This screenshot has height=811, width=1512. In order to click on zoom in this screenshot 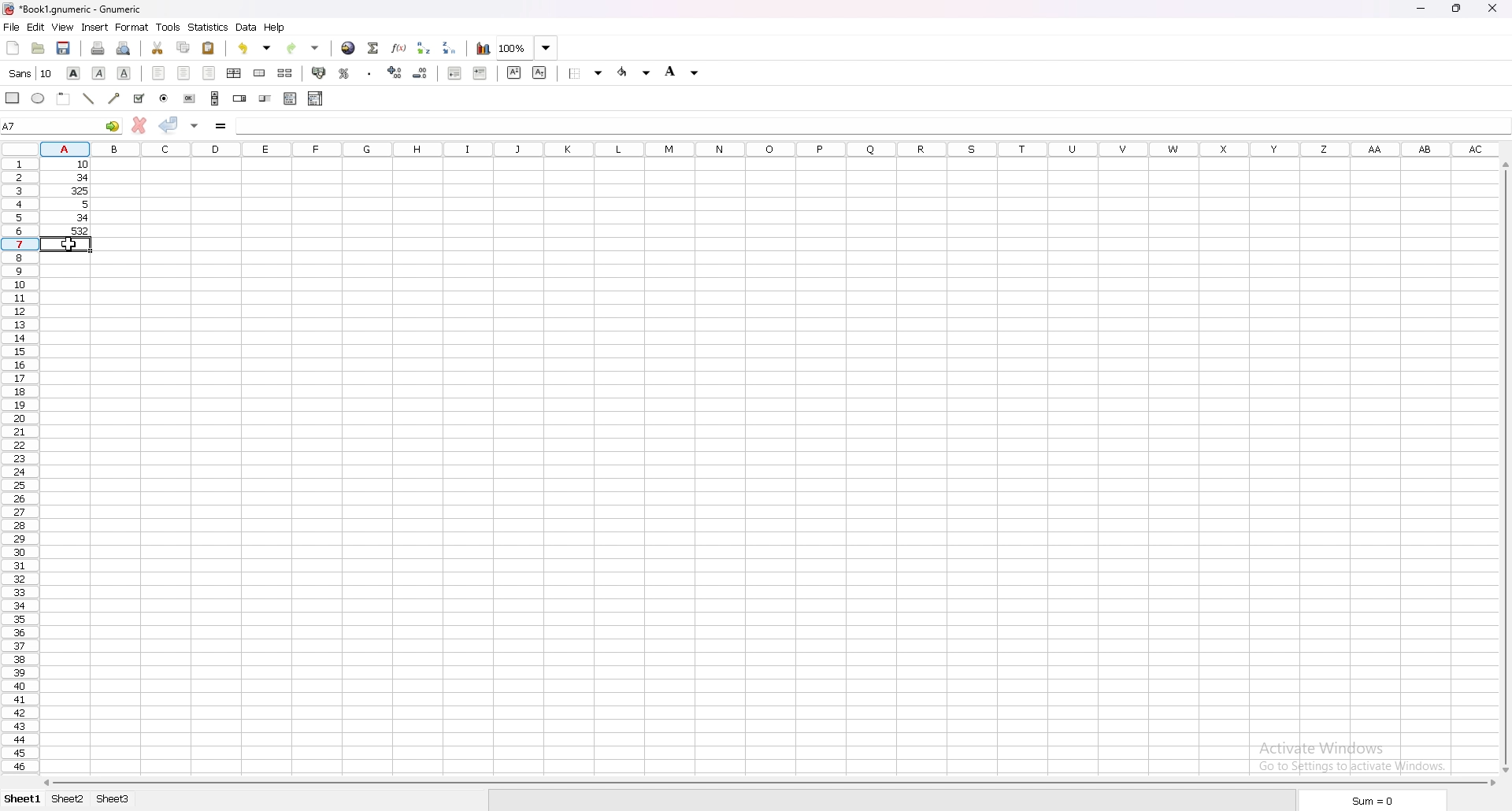, I will do `click(526, 48)`.